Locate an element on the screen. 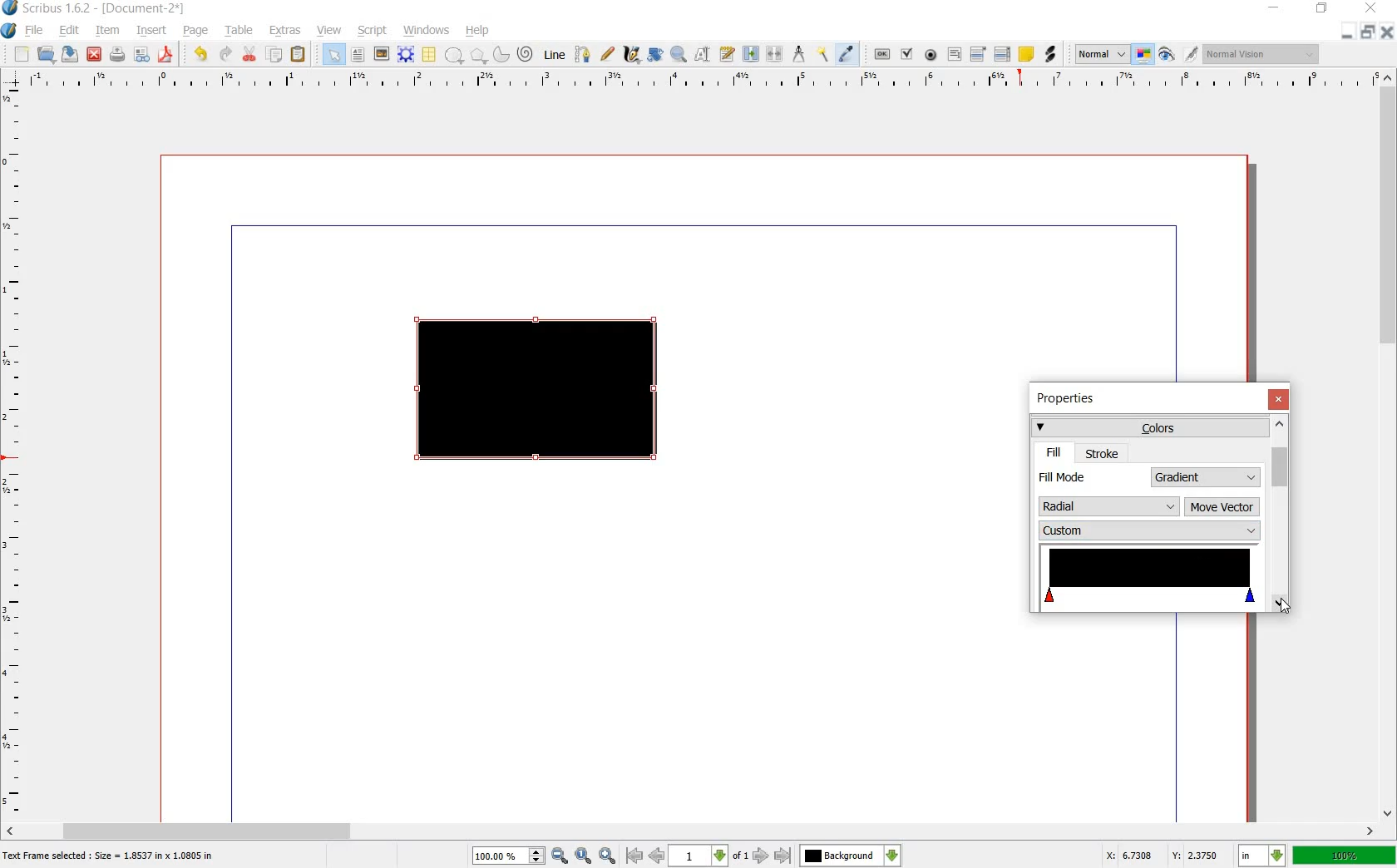 Image resolution: width=1397 pixels, height=868 pixels. item is located at coordinates (106, 32).